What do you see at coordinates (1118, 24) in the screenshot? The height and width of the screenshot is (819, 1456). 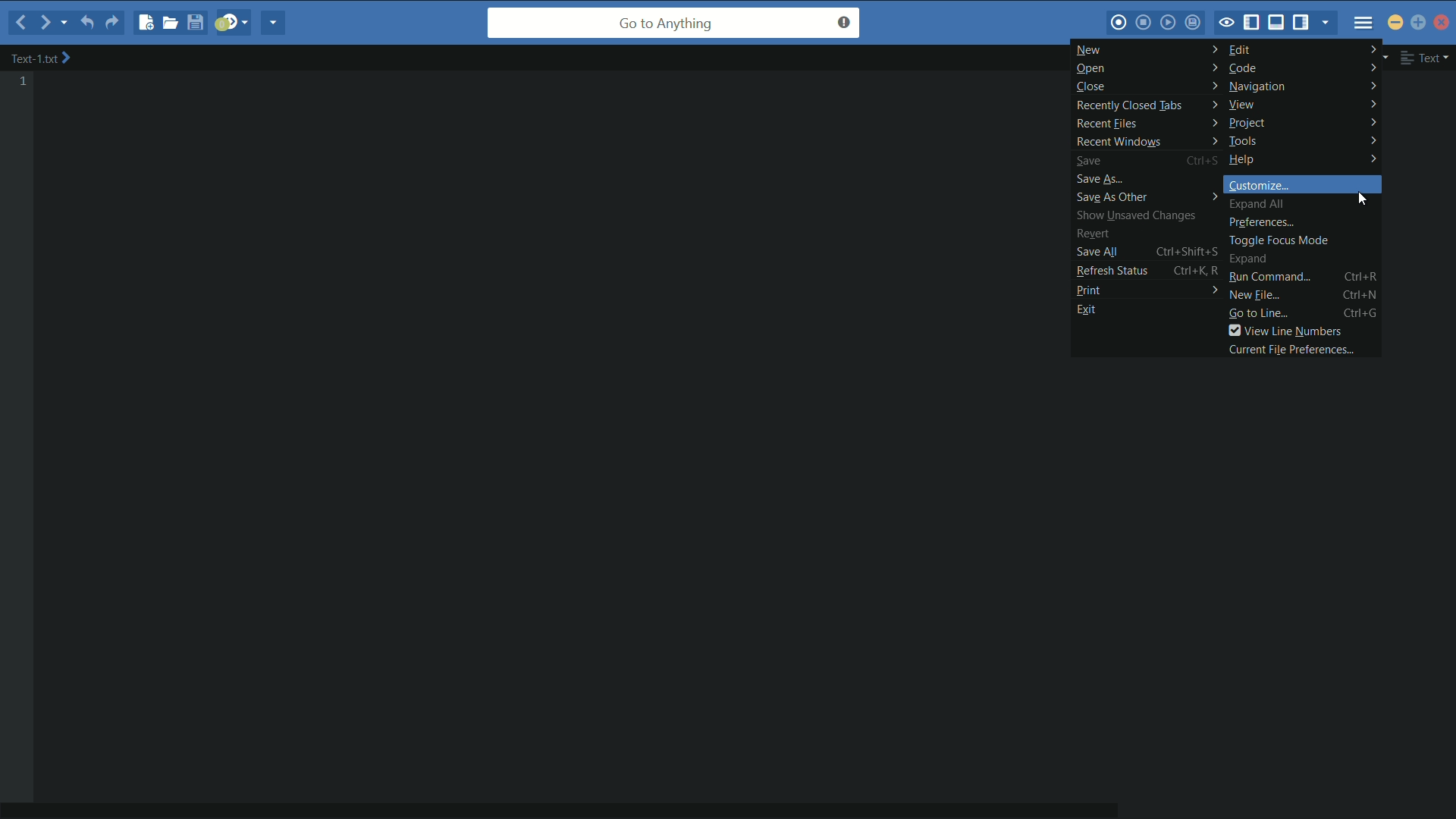 I see `start macros` at bounding box center [1118, 24].